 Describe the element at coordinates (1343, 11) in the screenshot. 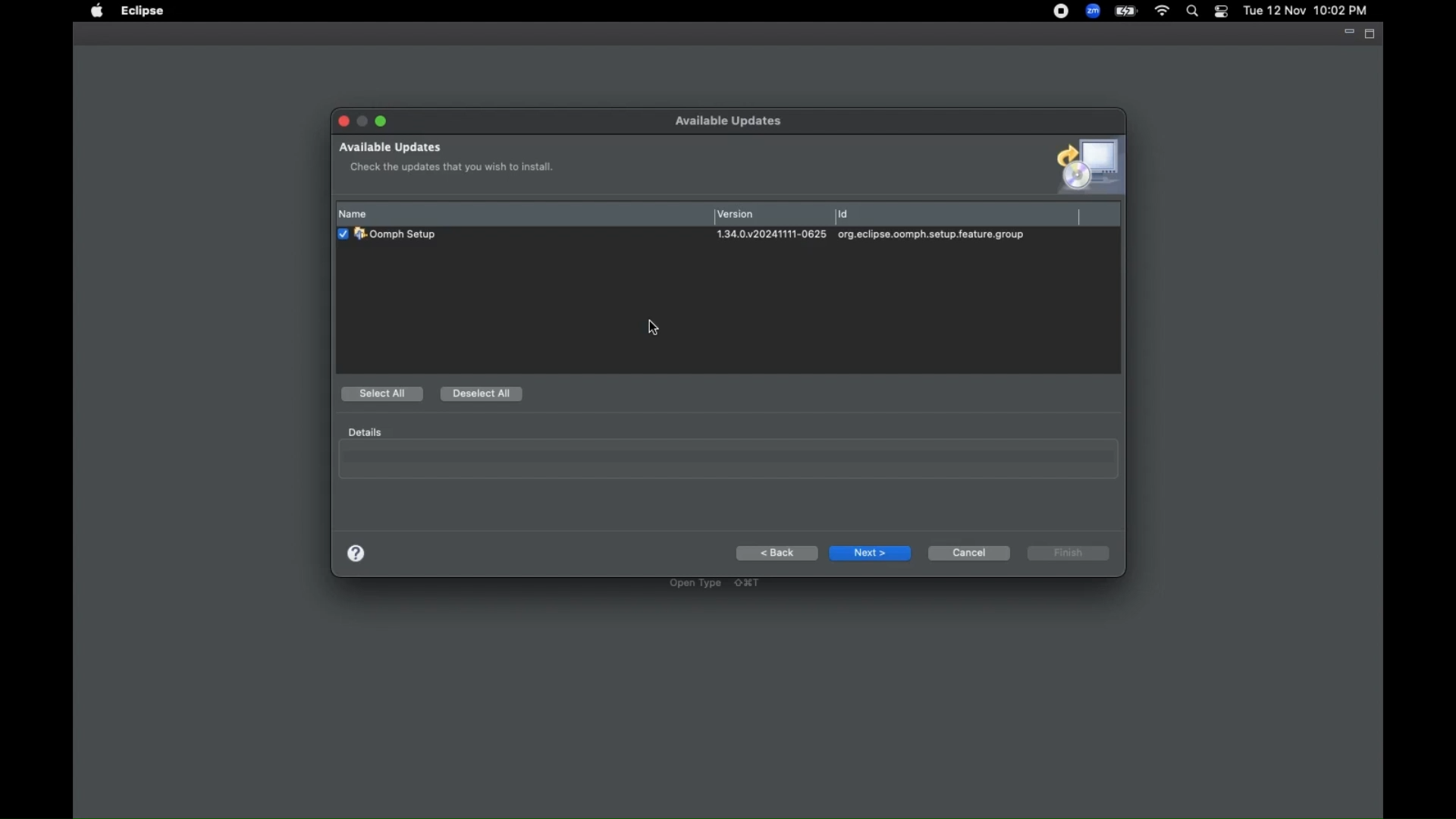

I see `10:02 pm ` at that location.